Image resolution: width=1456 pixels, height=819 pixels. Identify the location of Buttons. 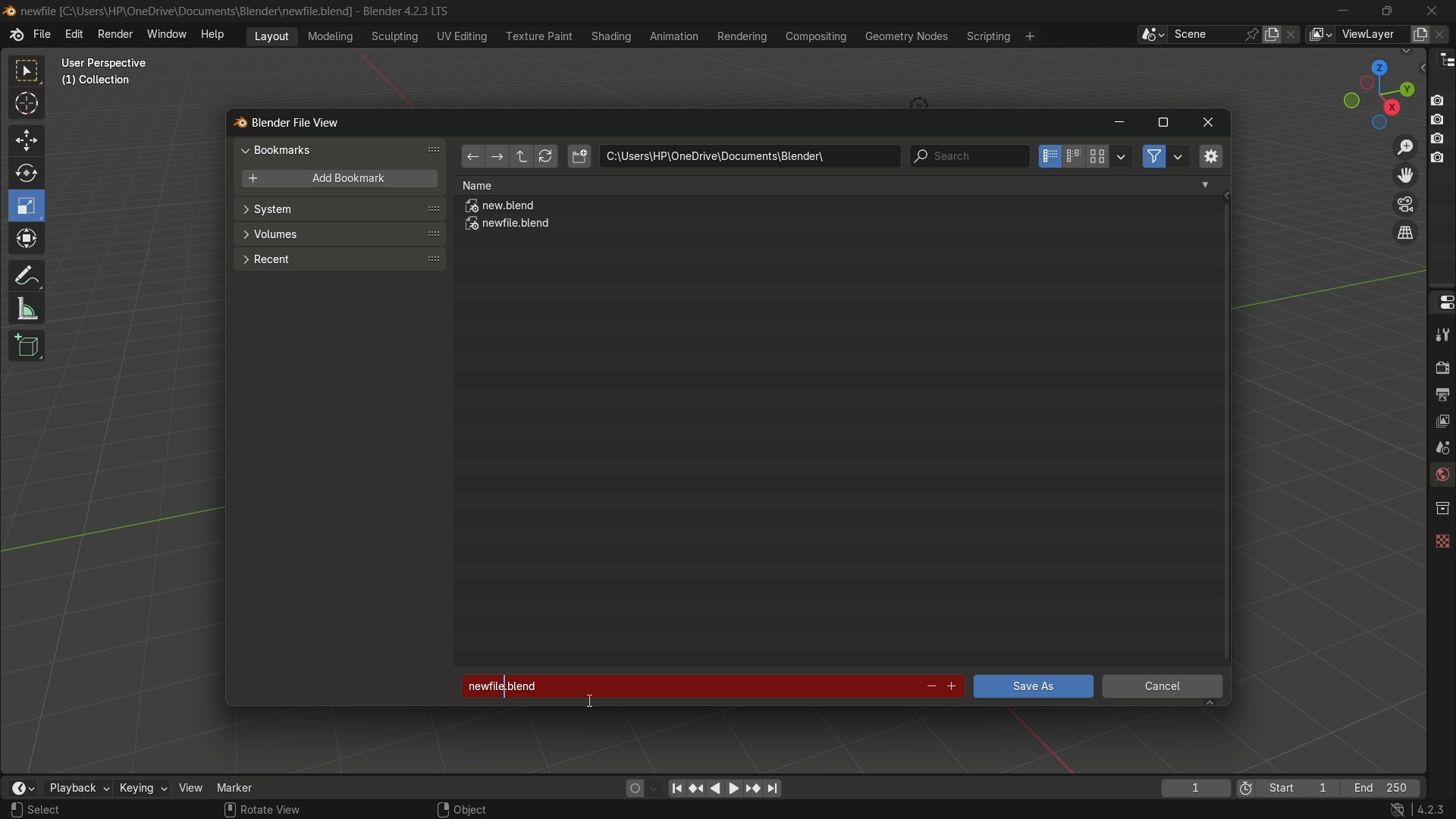
(1443, 127).